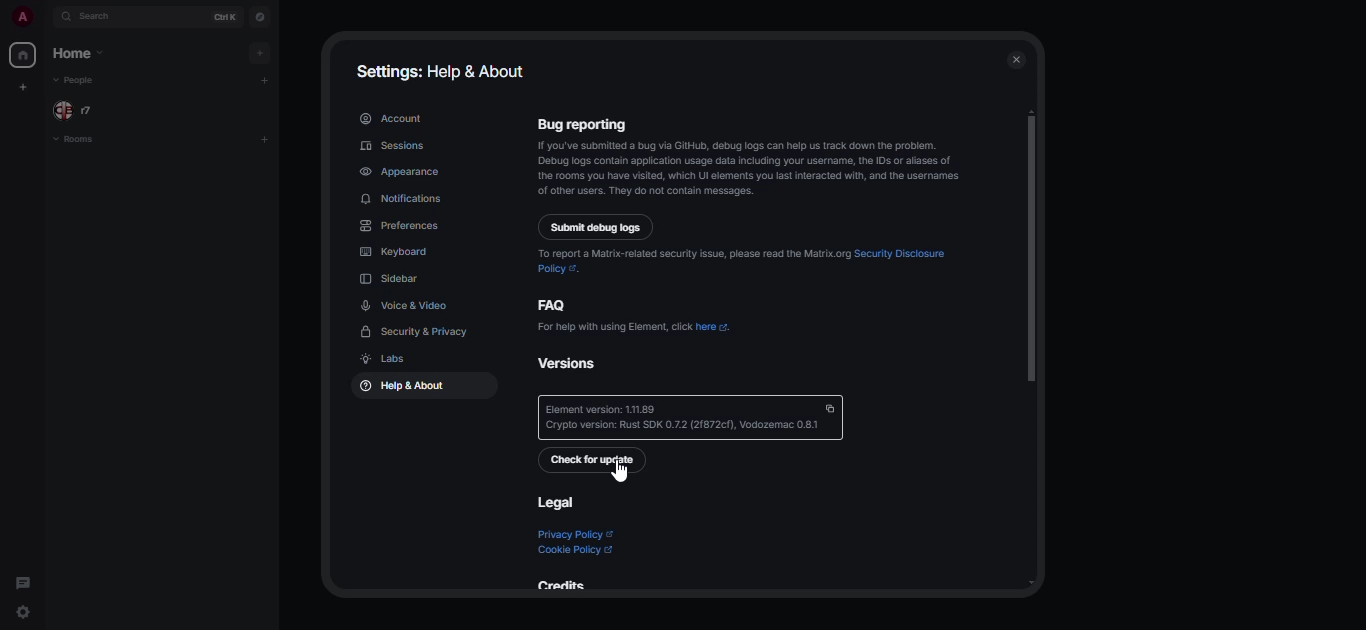 This screenshot has width=1366, height=630. Describe the element at coordinates (1032, 249) in the screenshot. I see `scroll bar` at that location.